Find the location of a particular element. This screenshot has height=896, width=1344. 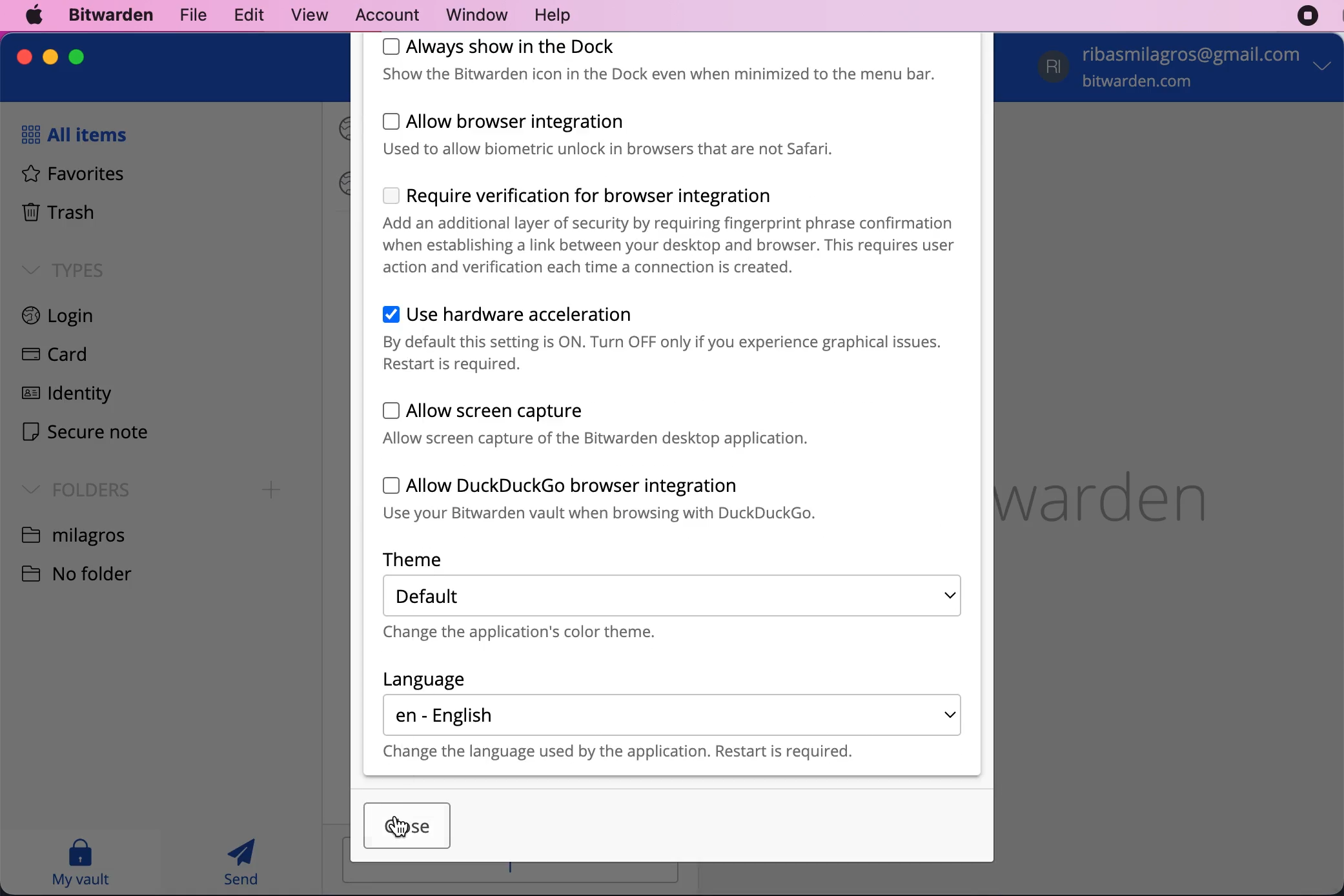

login is located at coordinates (74, 318).